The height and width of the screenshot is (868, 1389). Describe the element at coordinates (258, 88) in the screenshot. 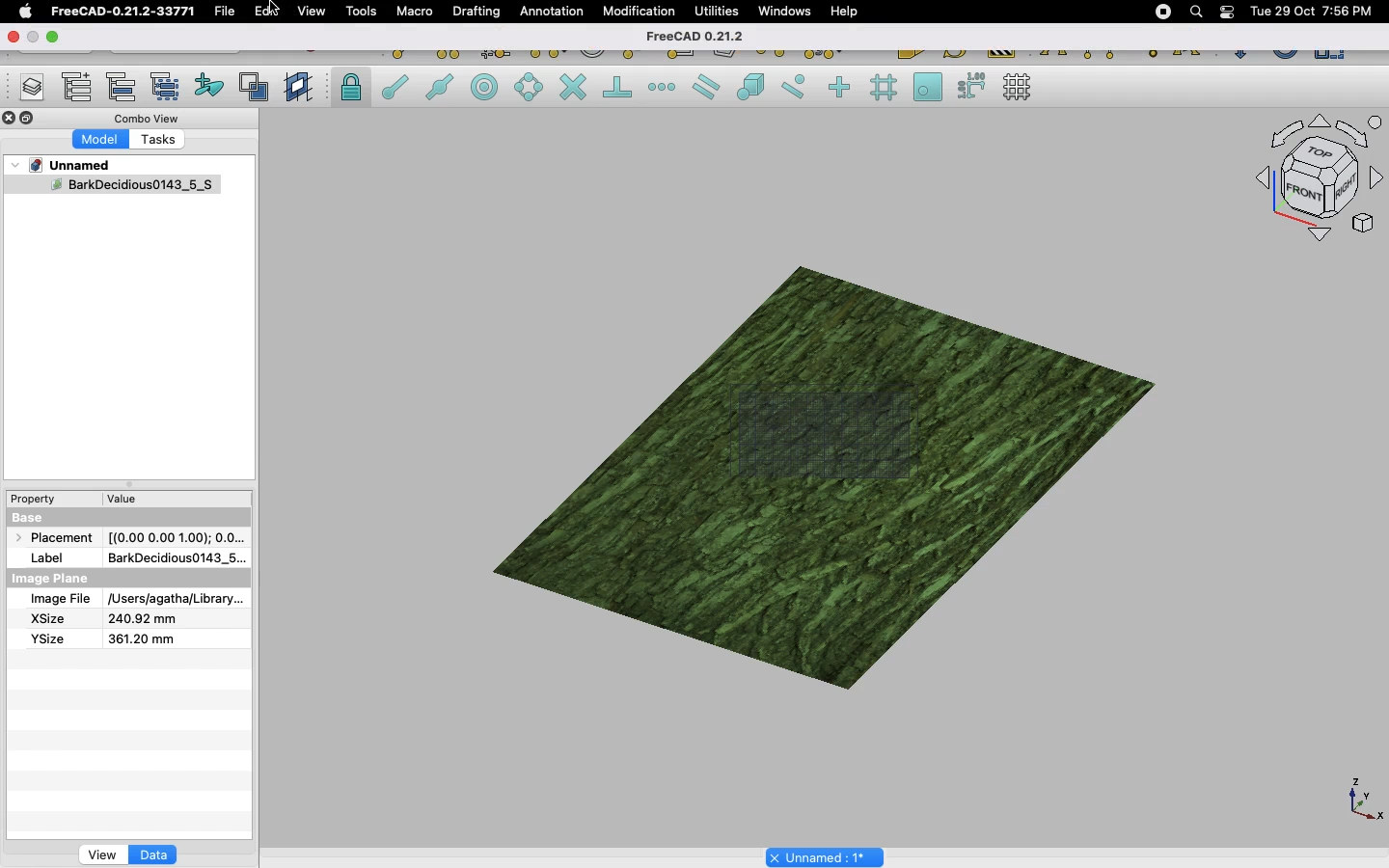

I see `Create working plane proxy` at that location.